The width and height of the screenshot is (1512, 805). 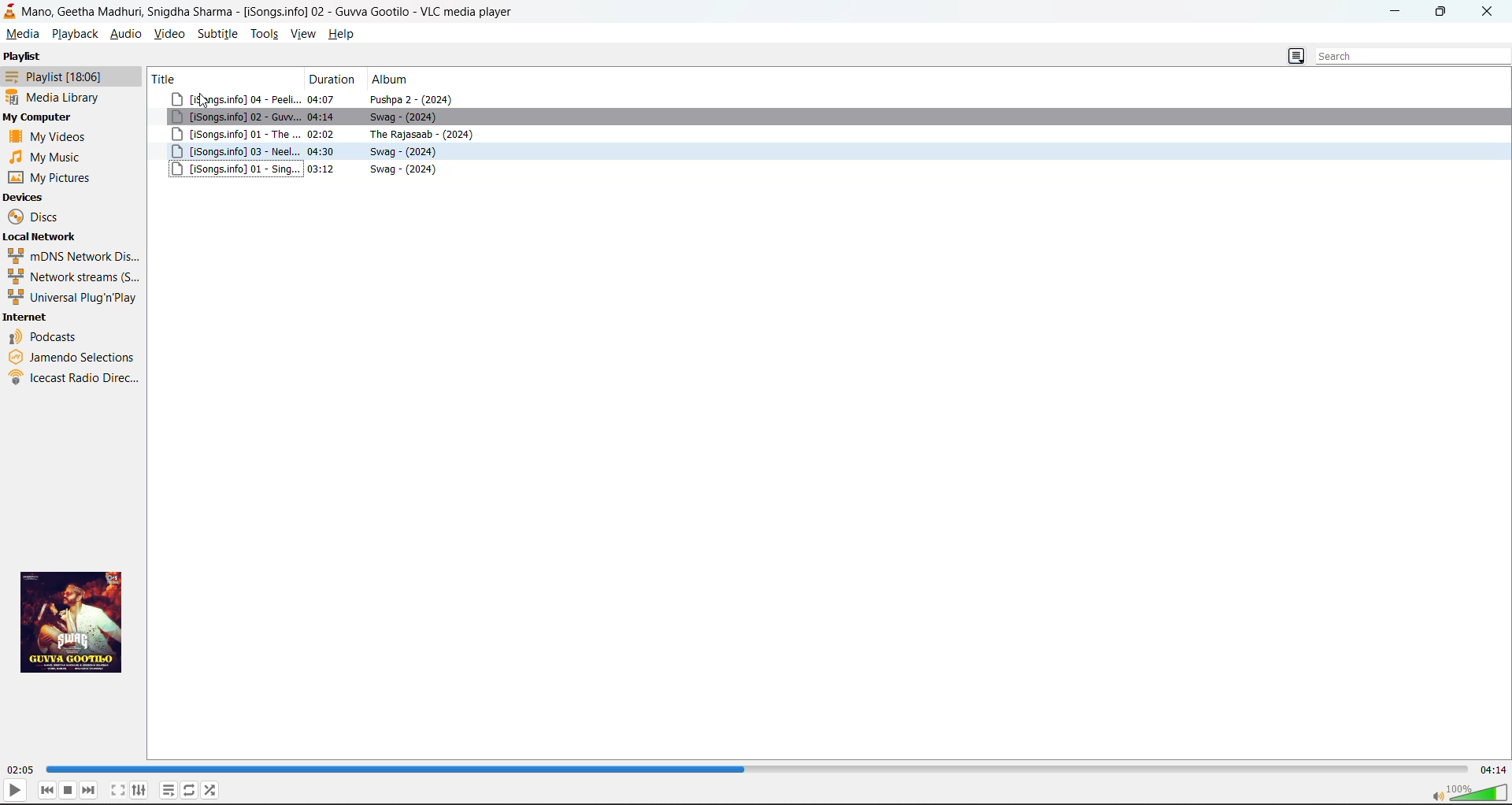 I want to click on internet, so click(x=27, y=318).